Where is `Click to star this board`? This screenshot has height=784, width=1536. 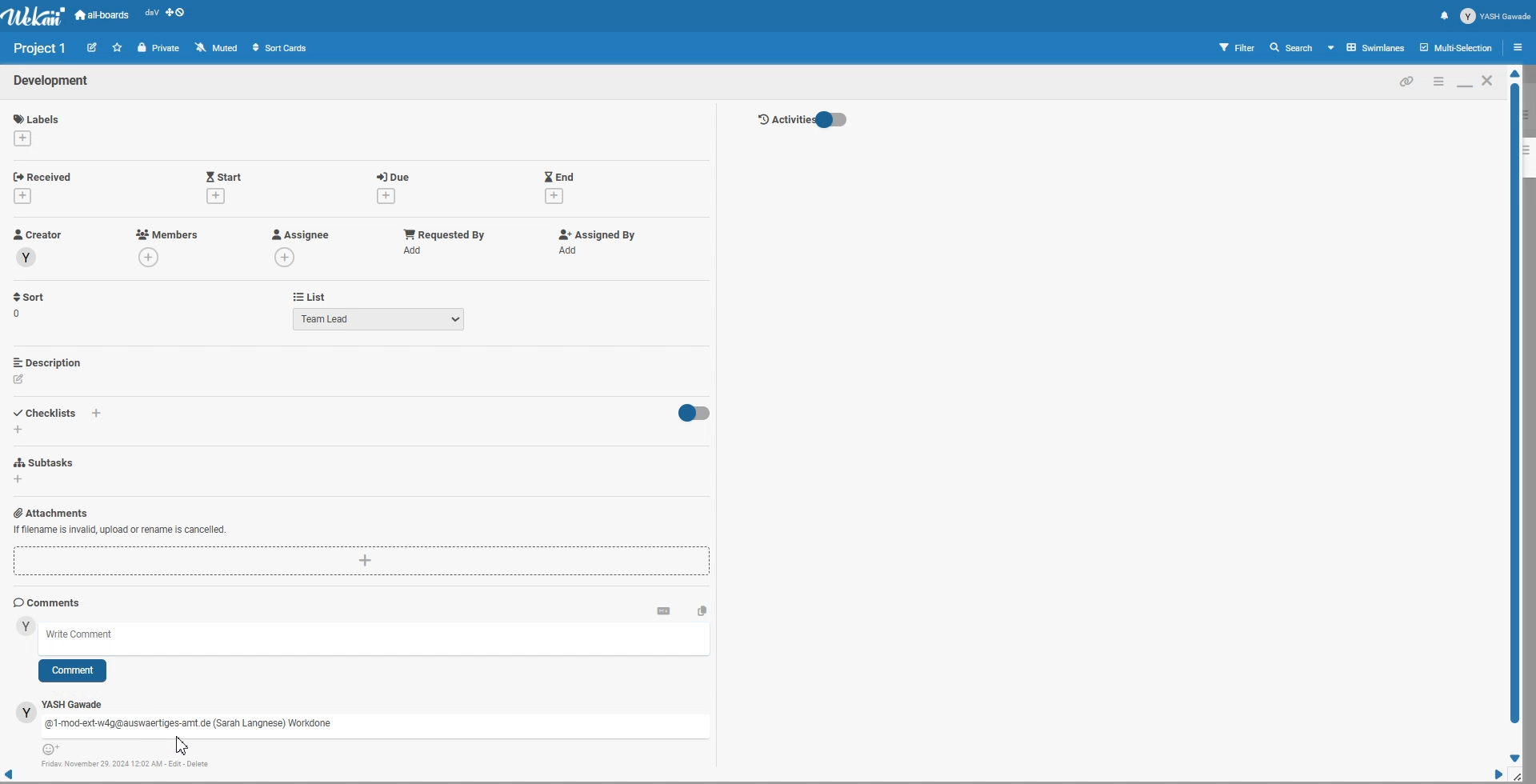
Click to star this board is located at coordinates (118, 47).